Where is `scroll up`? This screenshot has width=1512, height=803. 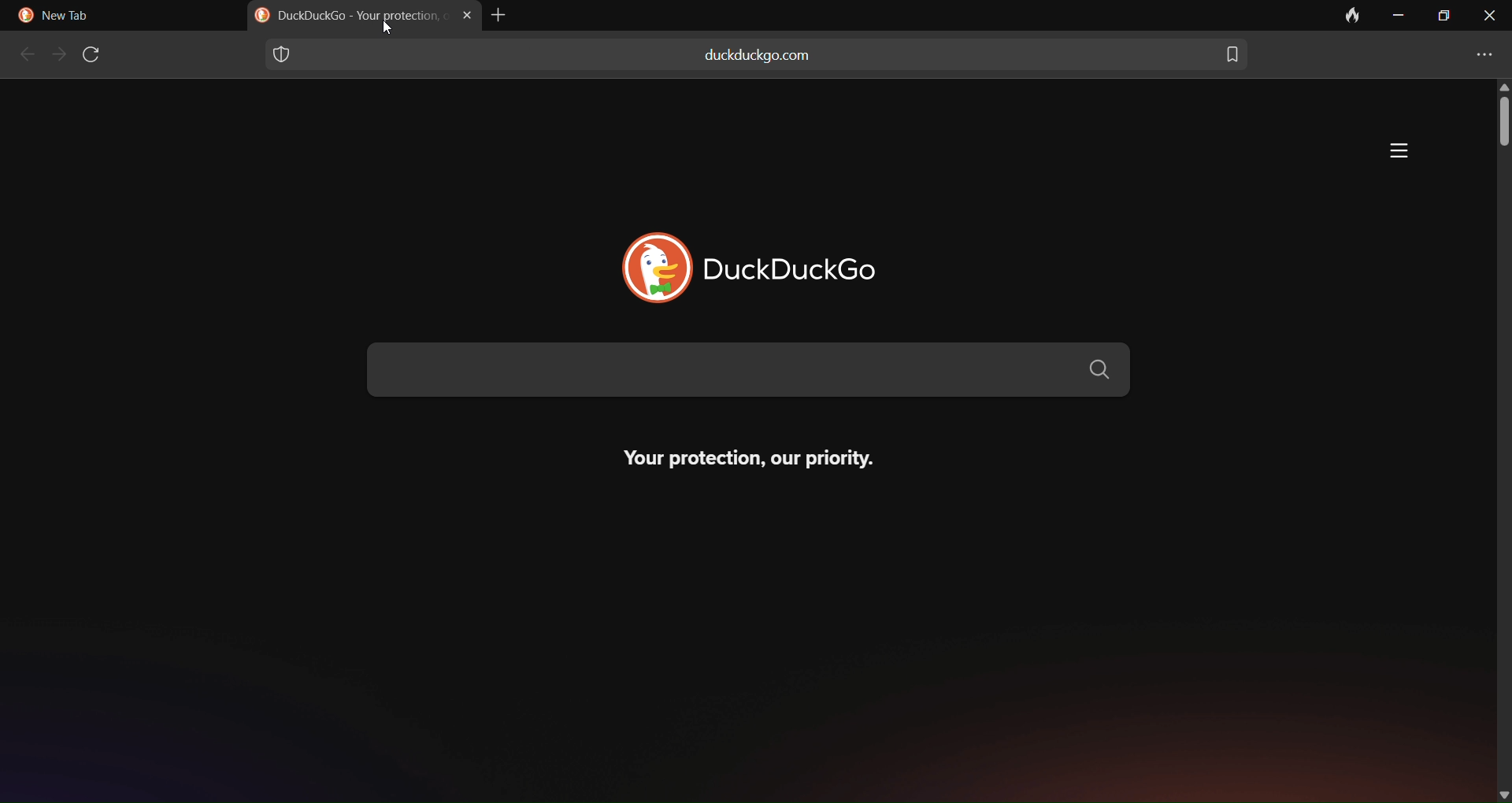 scroll up is located at coordinates (1499, 86).